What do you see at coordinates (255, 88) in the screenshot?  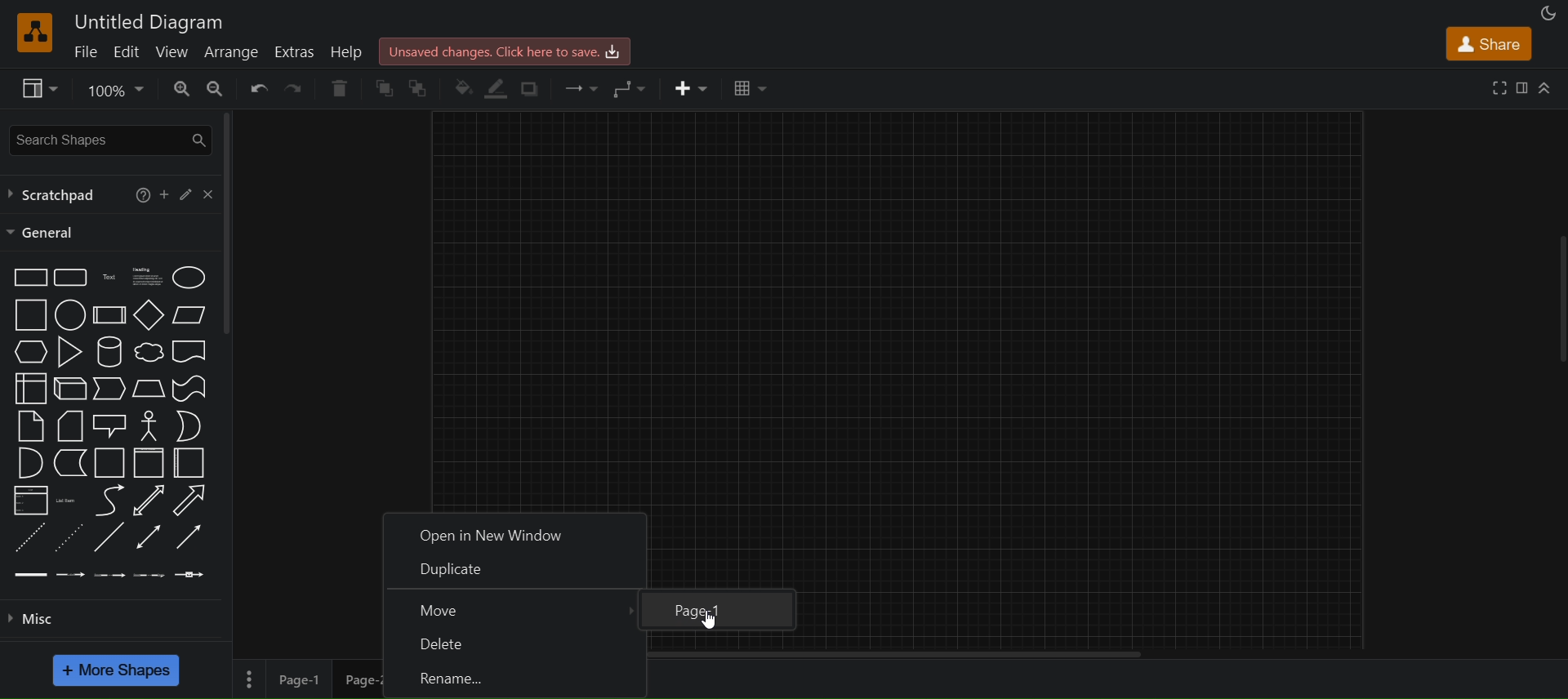 I see `undo` at bounding box center [255, 88].